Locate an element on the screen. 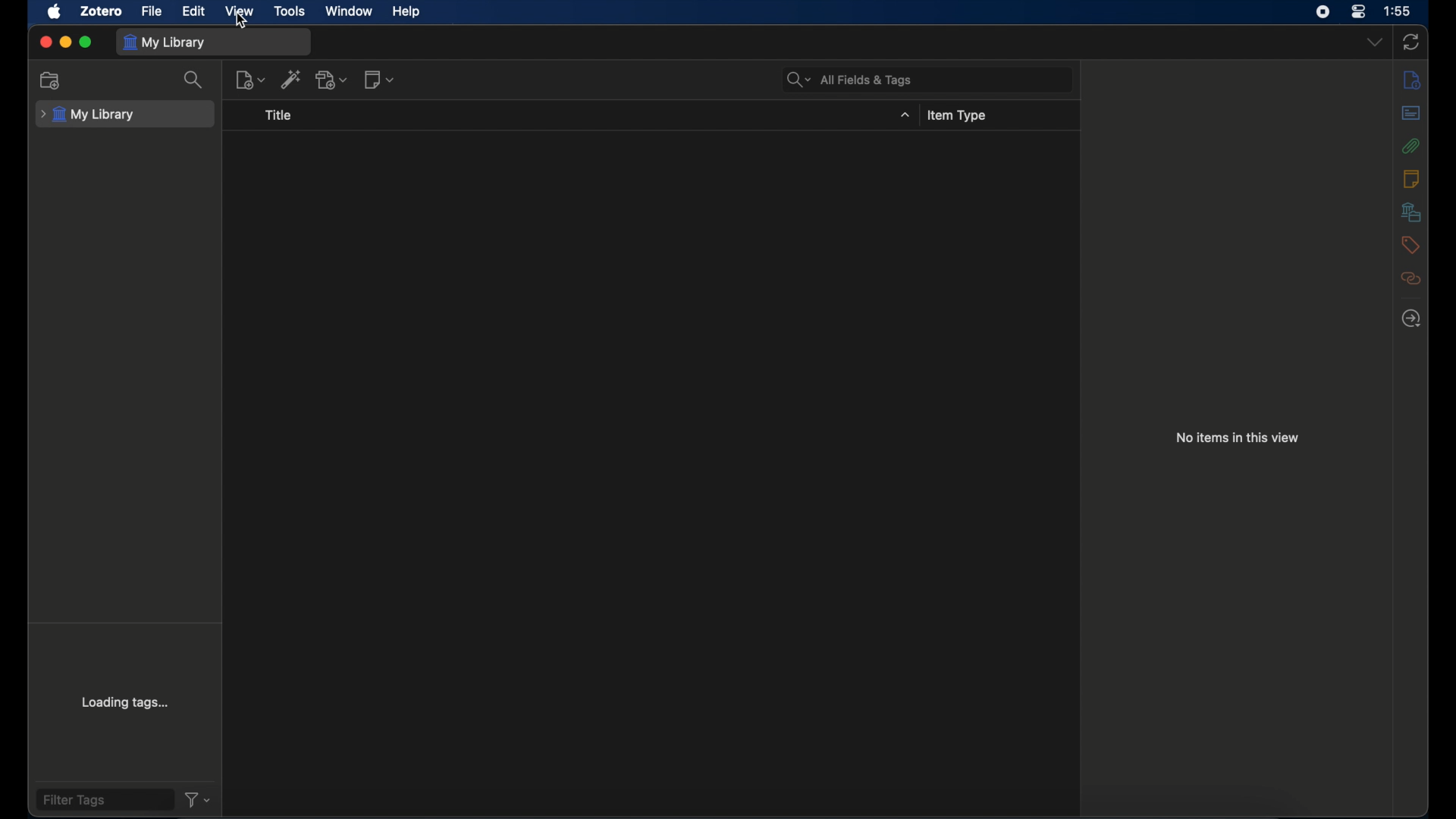  new collection is located at coordinates (52, 81).